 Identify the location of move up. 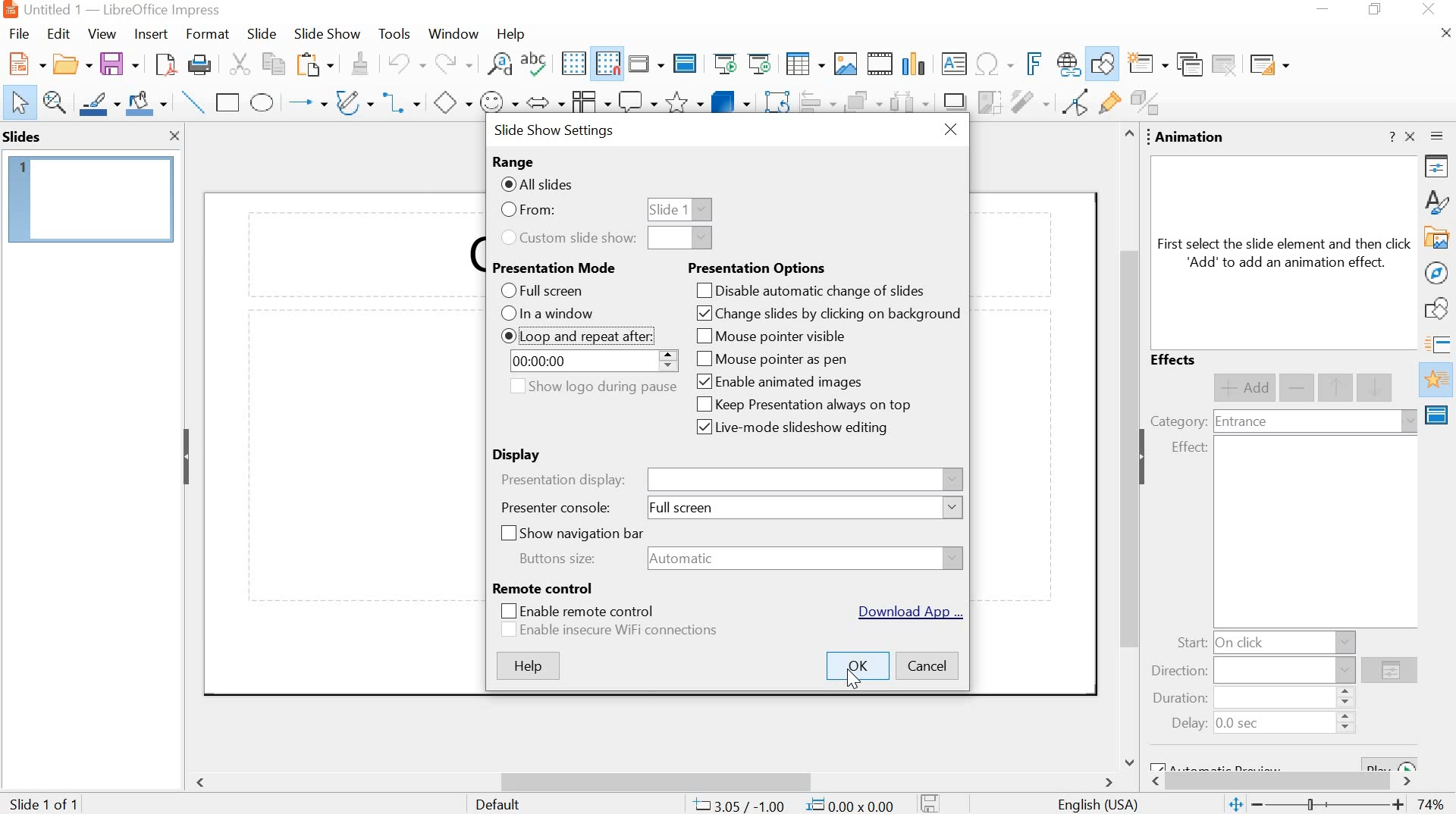
(1337, 388).